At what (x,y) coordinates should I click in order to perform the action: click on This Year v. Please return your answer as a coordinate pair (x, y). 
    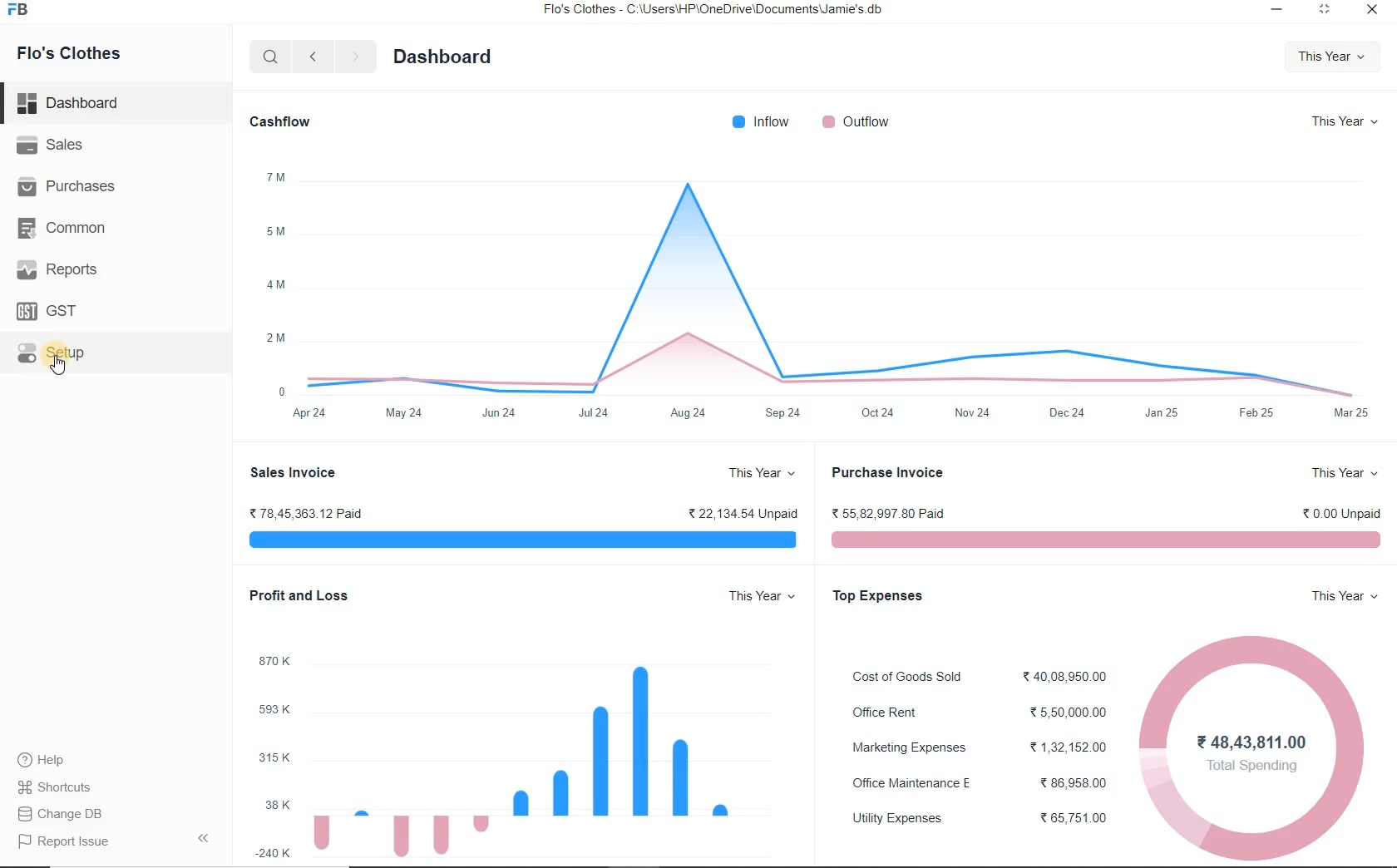
    Looking at the image, I should click on (762, 595).